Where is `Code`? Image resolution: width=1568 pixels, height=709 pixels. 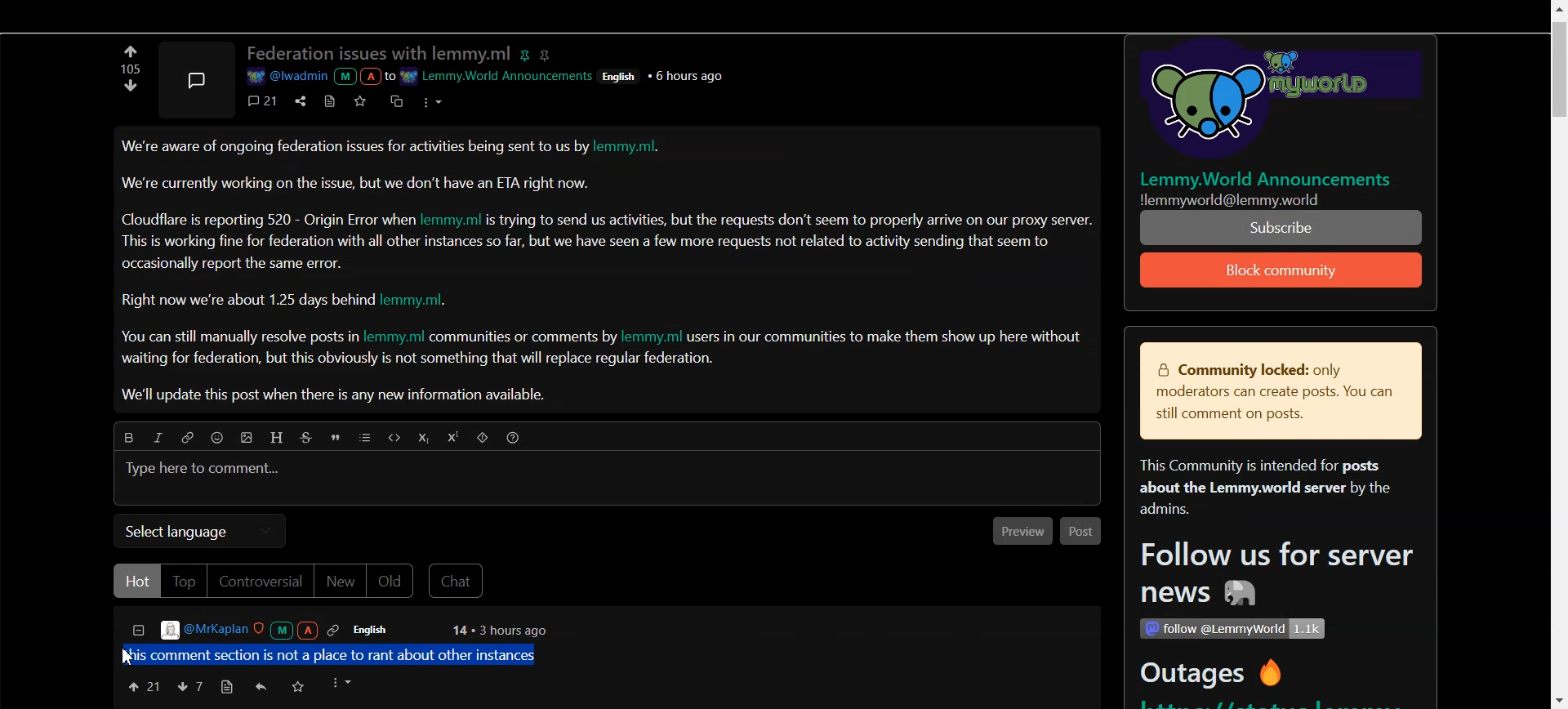
Code is located at coordinates (392, 437).